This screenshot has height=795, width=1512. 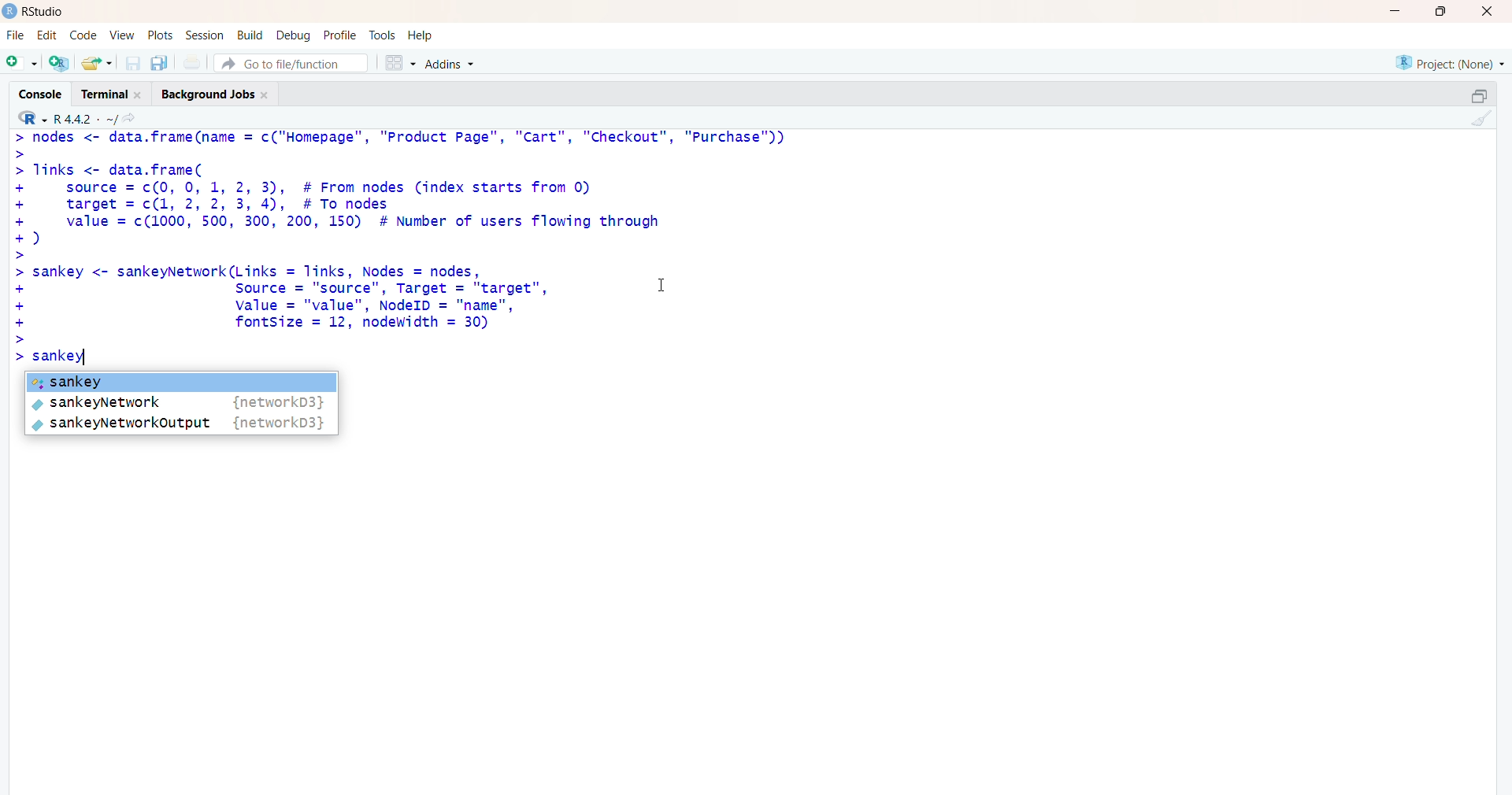 I want to click on tools, so click(x=383, y=33).